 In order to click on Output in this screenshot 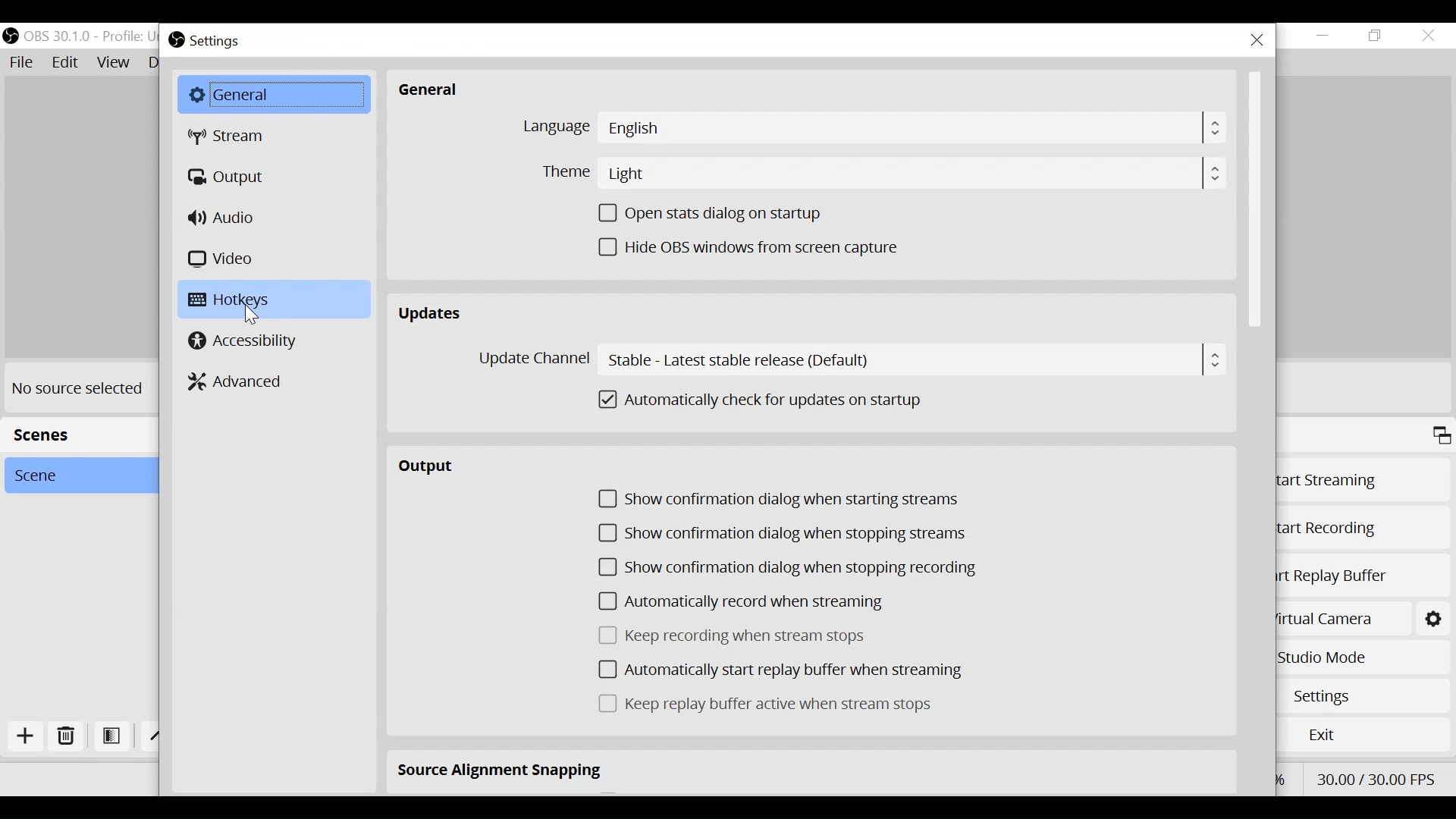, I will do `click(434, 469)`.